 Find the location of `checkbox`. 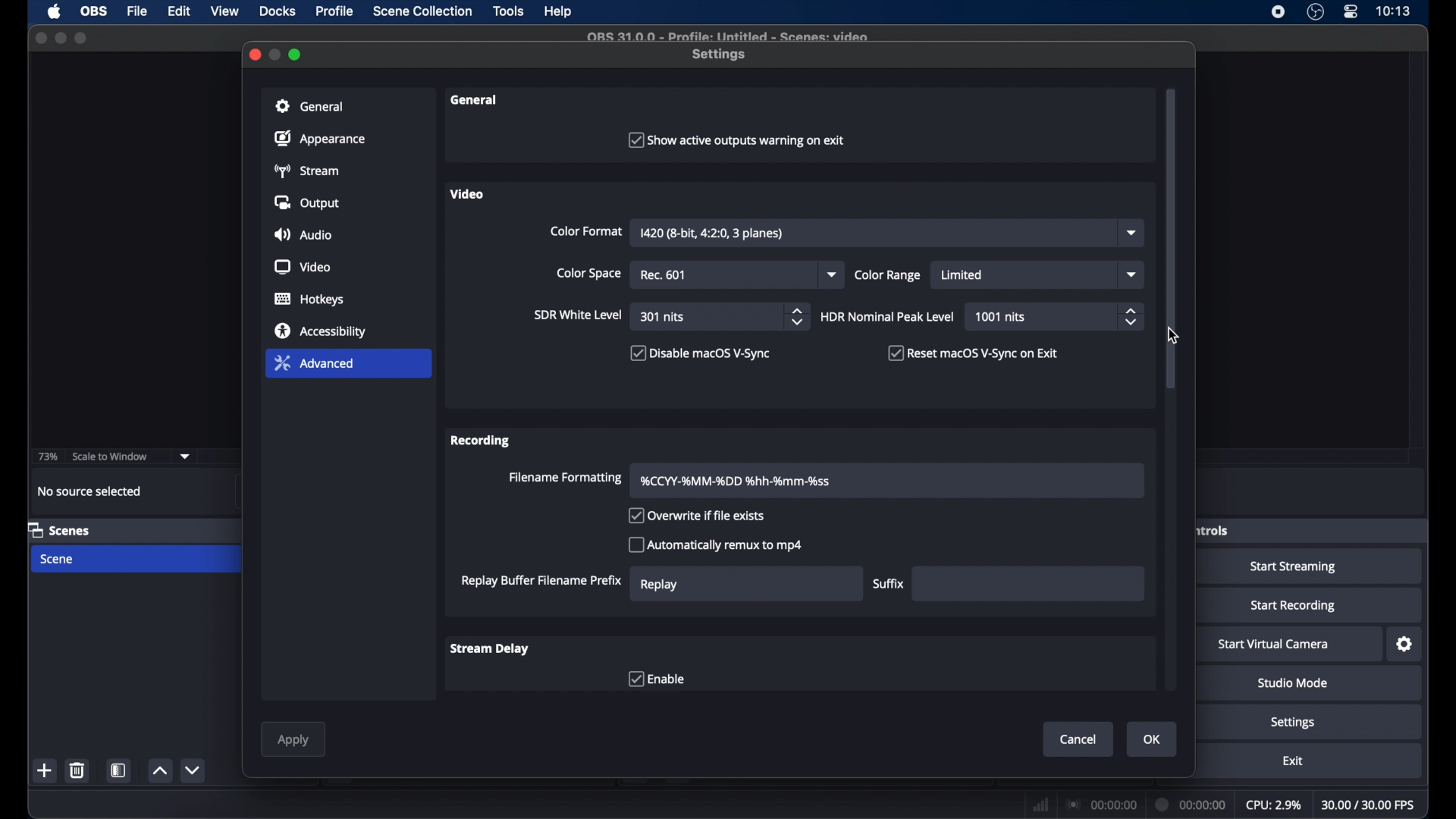

checkbox is located at coordinates (974, 353).